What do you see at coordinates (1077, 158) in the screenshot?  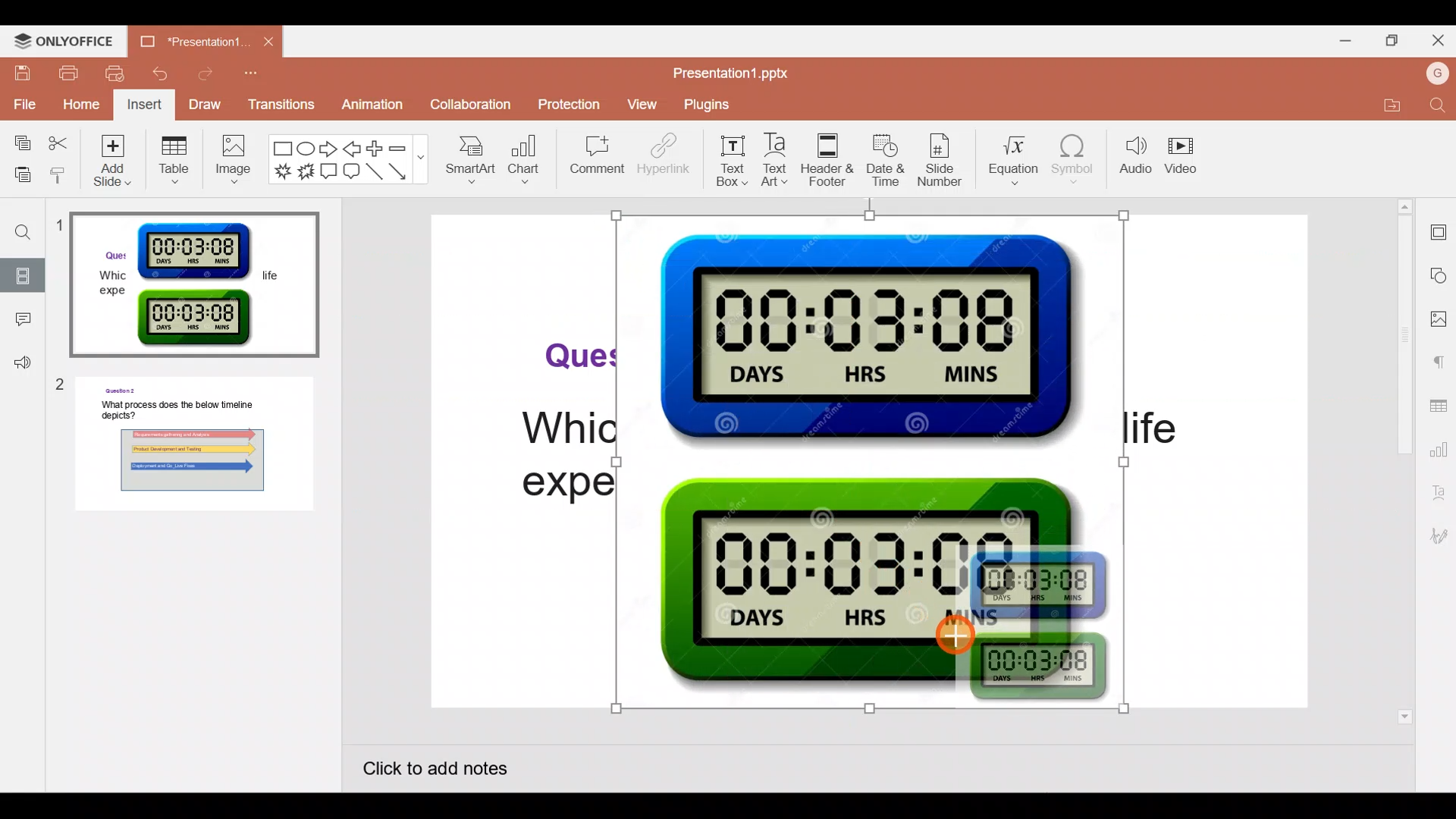 I see `Symbol` at bounding box center [1077, 158].